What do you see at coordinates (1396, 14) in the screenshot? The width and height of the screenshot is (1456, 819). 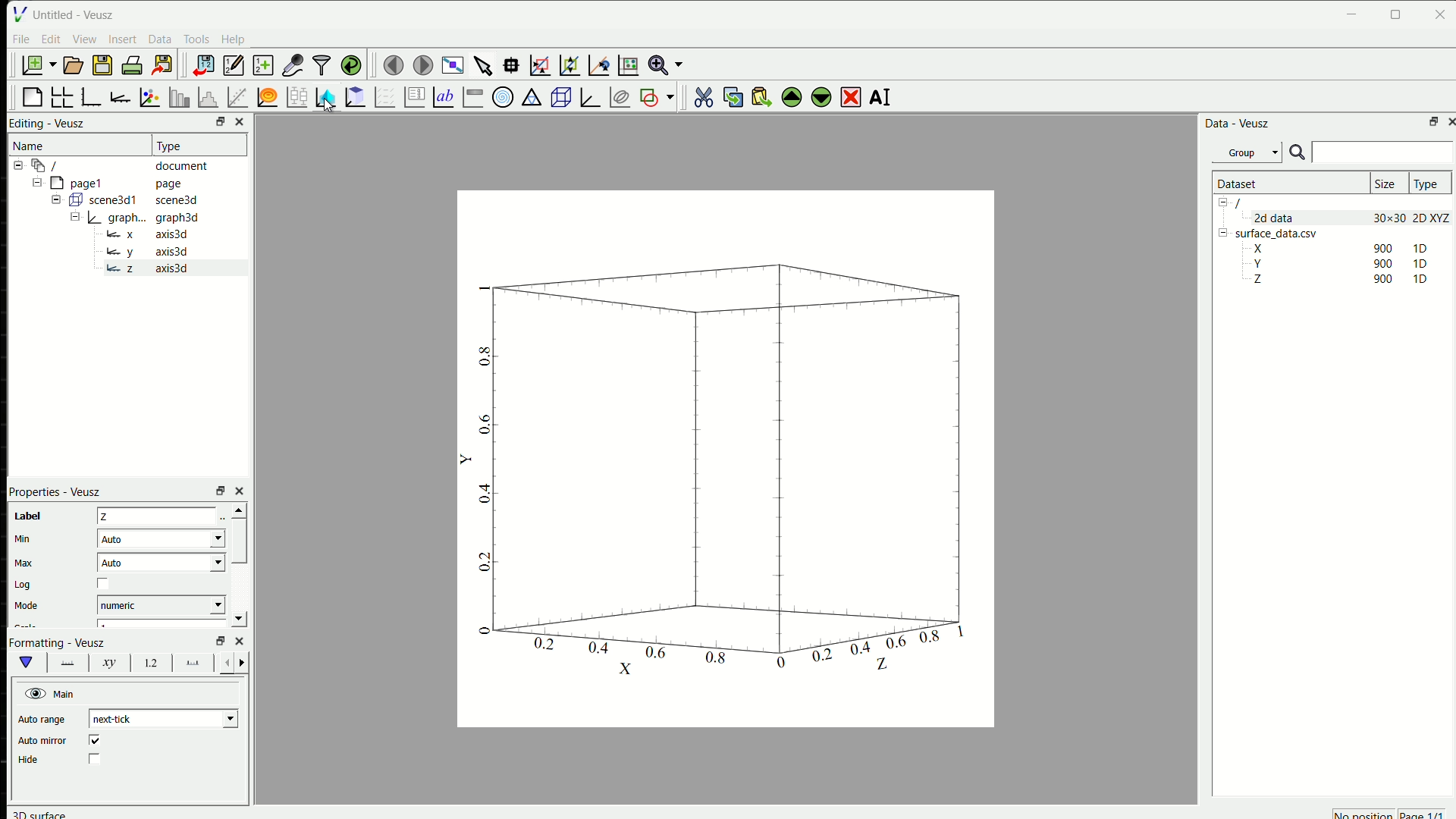 I see `maximise` at bounding box center [1396, 14].